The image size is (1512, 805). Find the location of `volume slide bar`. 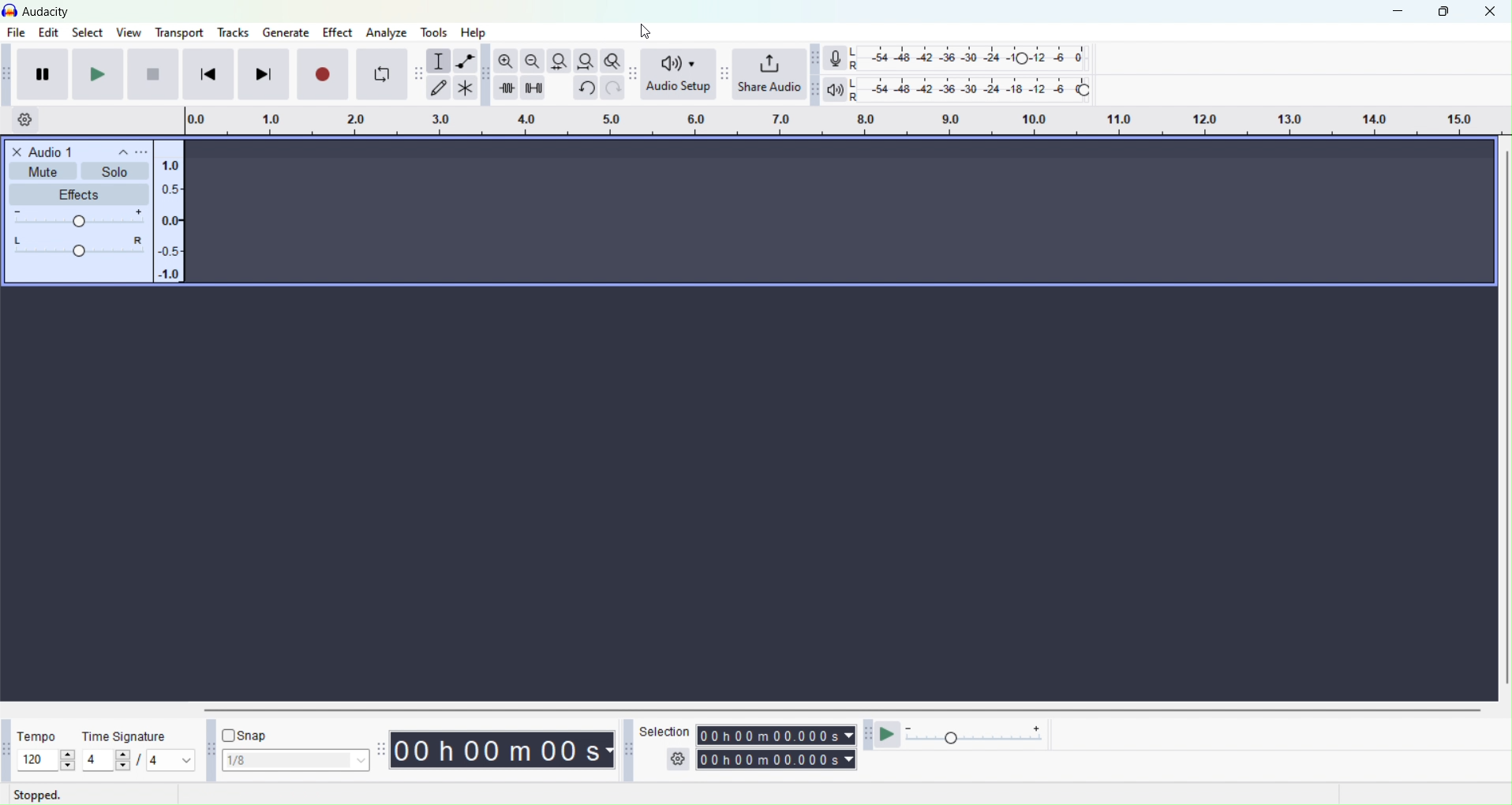

volume slide bar is located at coordinates (78, 219).